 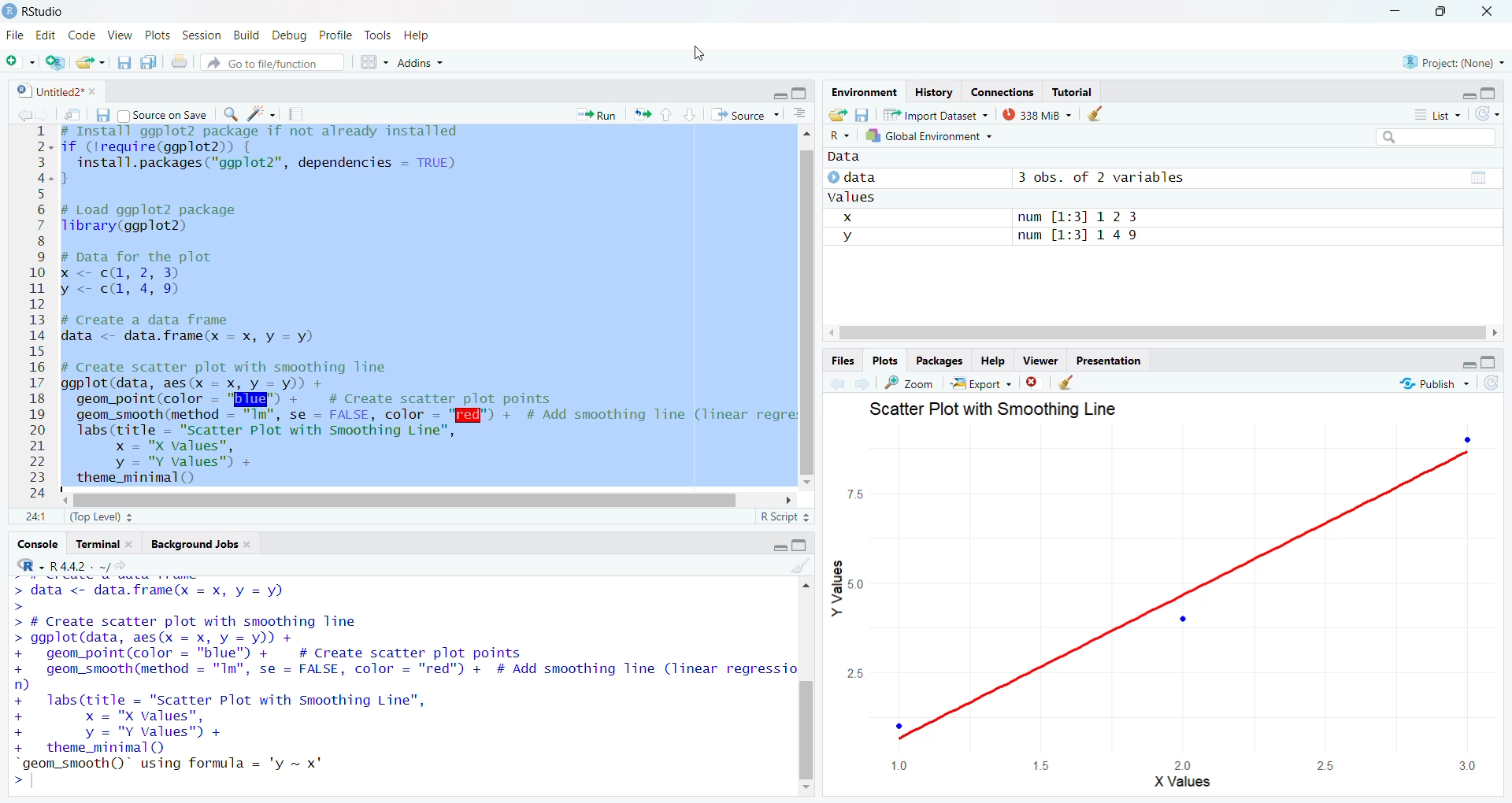 I want to click on x values, so click(x=1183, y=785).